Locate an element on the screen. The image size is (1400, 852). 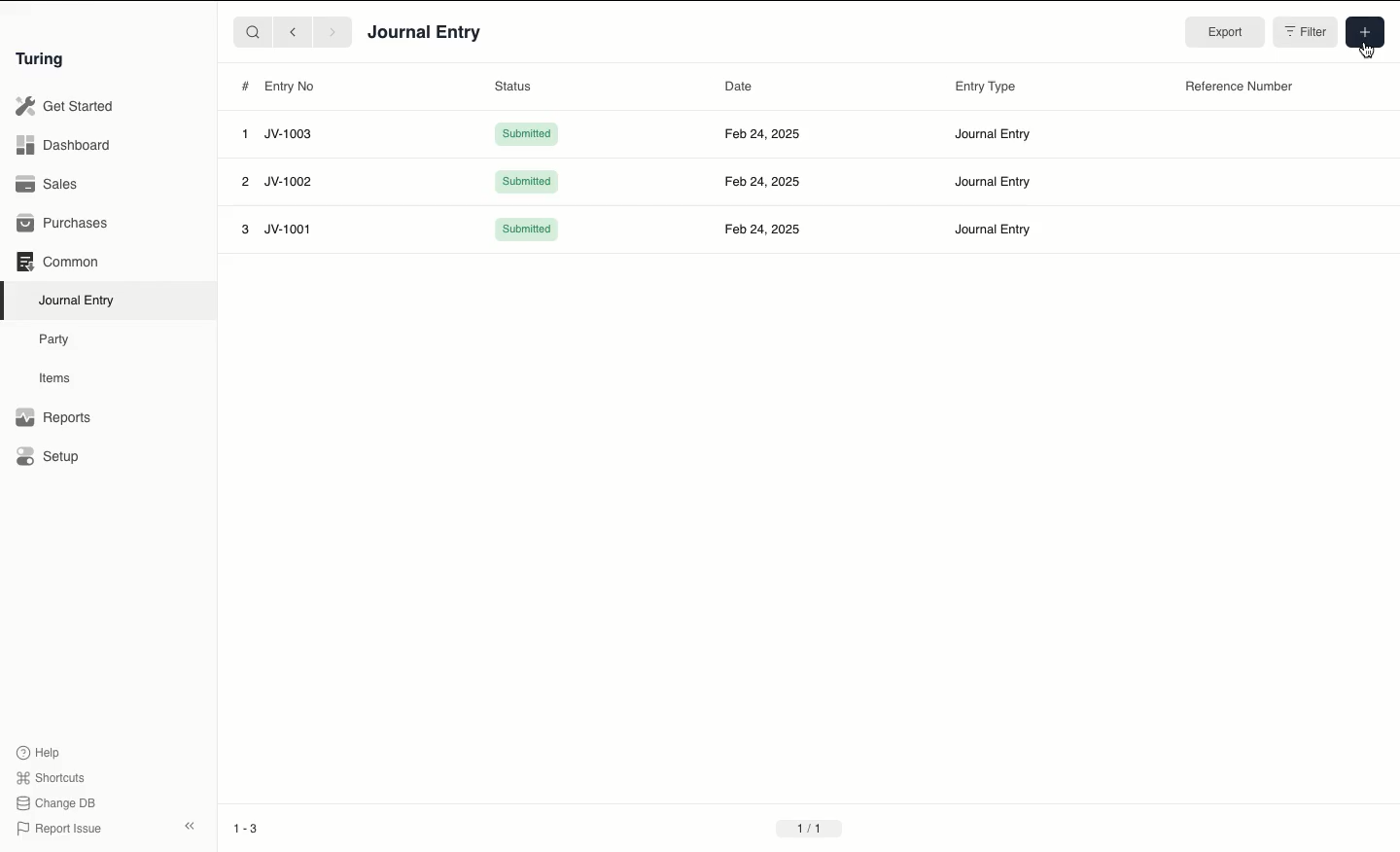
Entry No is located at coordinates (291, 87).